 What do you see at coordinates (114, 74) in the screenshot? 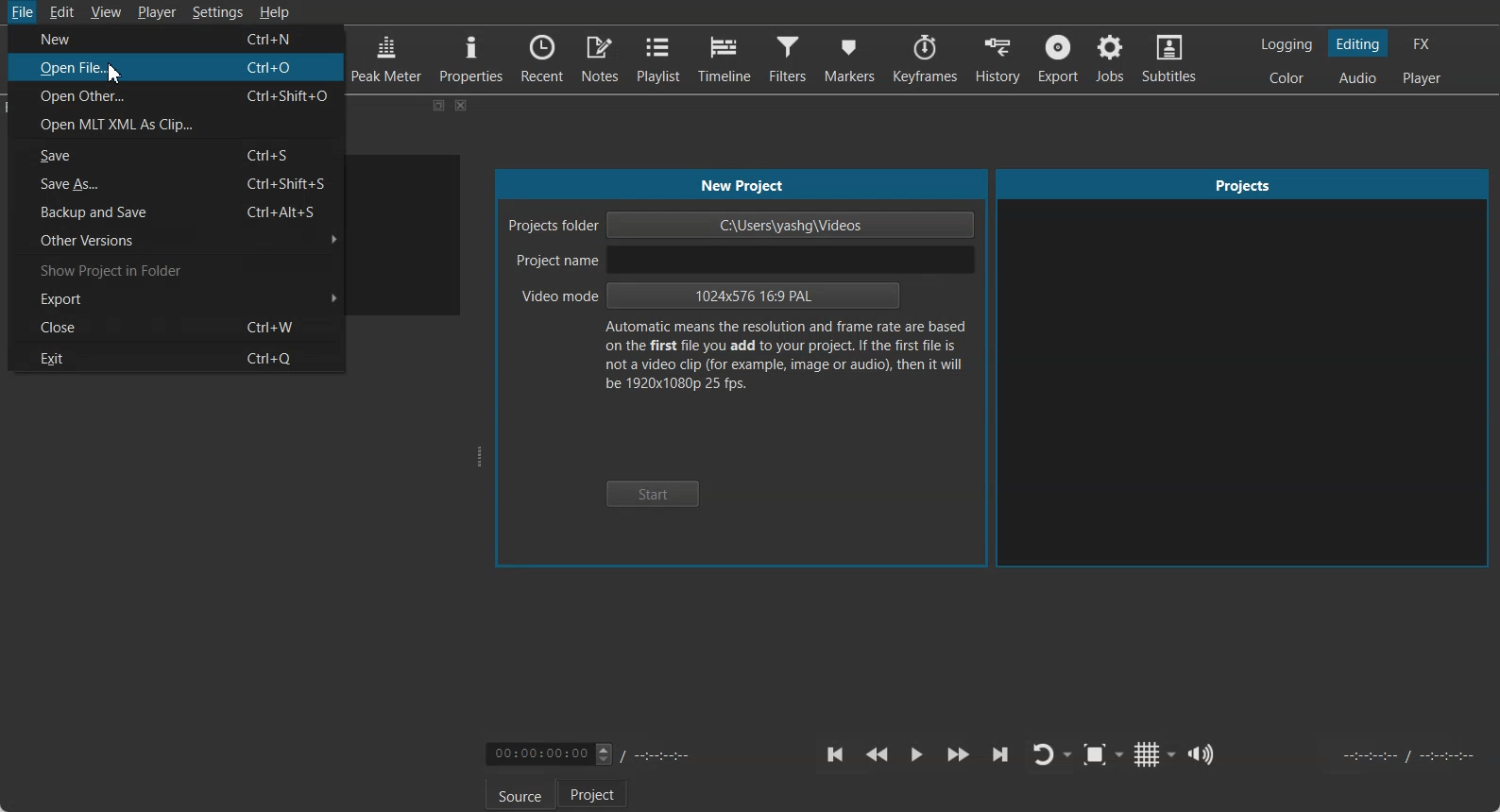
I see `Cursor` at bounding box center [114, 74].